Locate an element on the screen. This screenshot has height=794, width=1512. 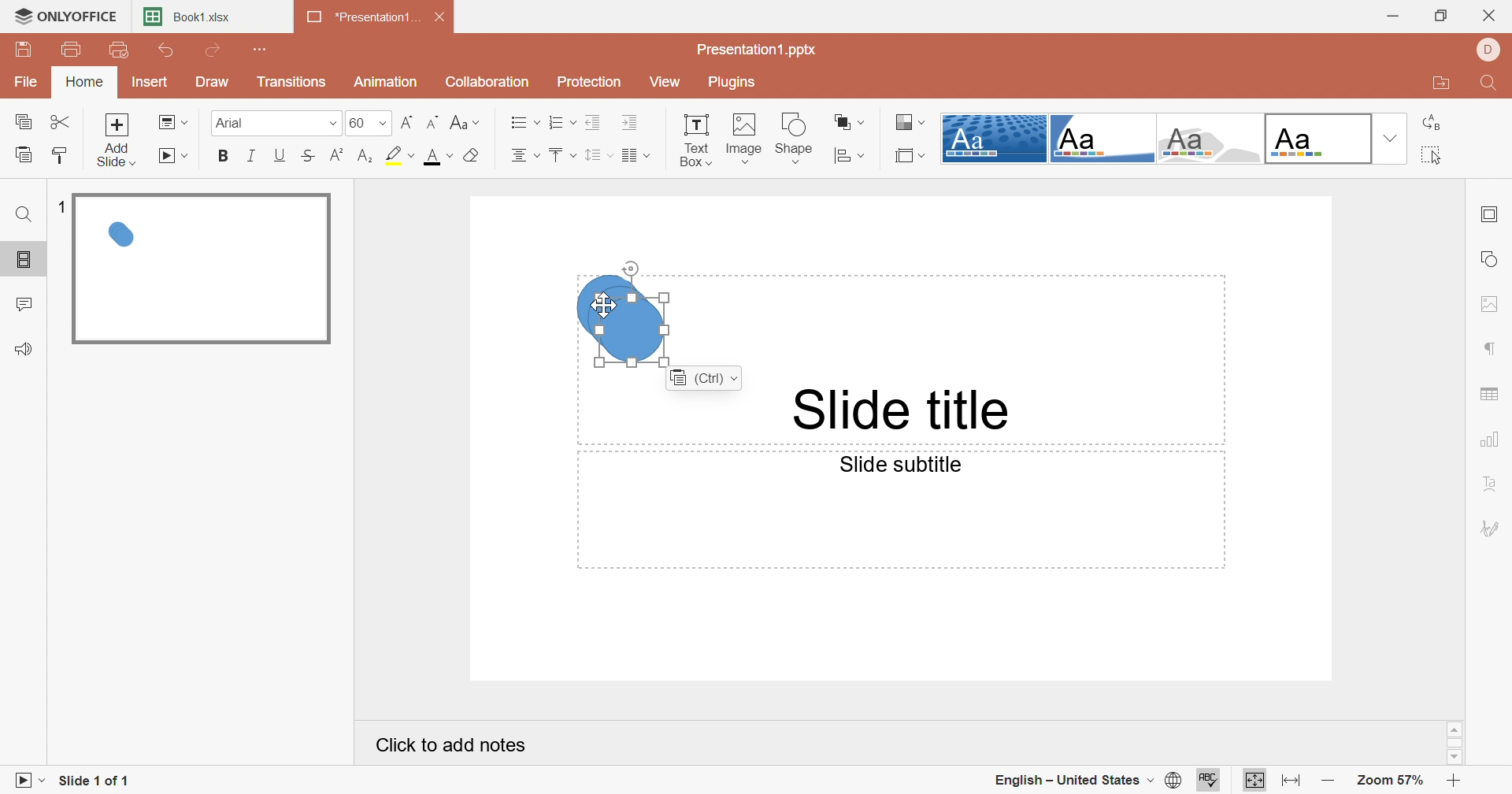
Print is located at coordinates (76, 51).